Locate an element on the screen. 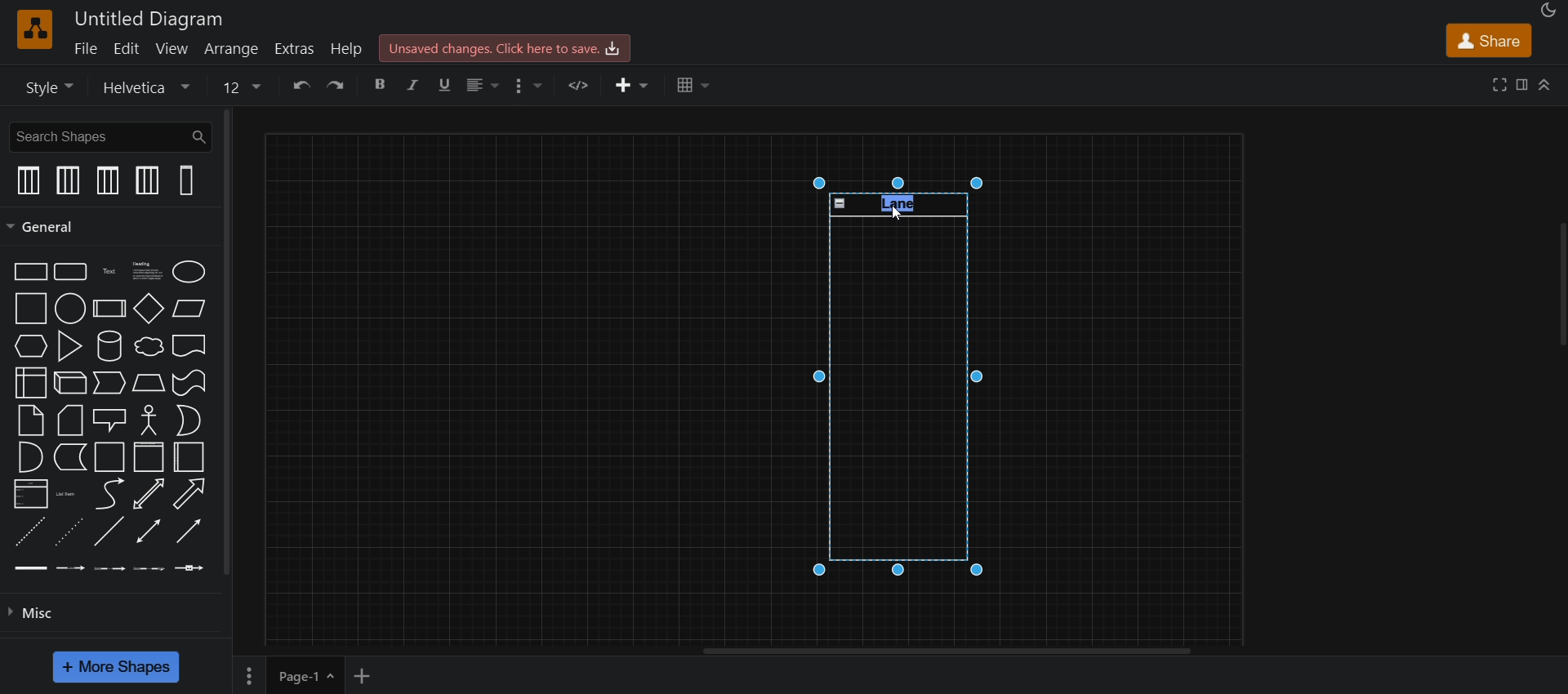 The width and height of the screenshot is (1568, 694). list item is located at coordinates (69, 493).